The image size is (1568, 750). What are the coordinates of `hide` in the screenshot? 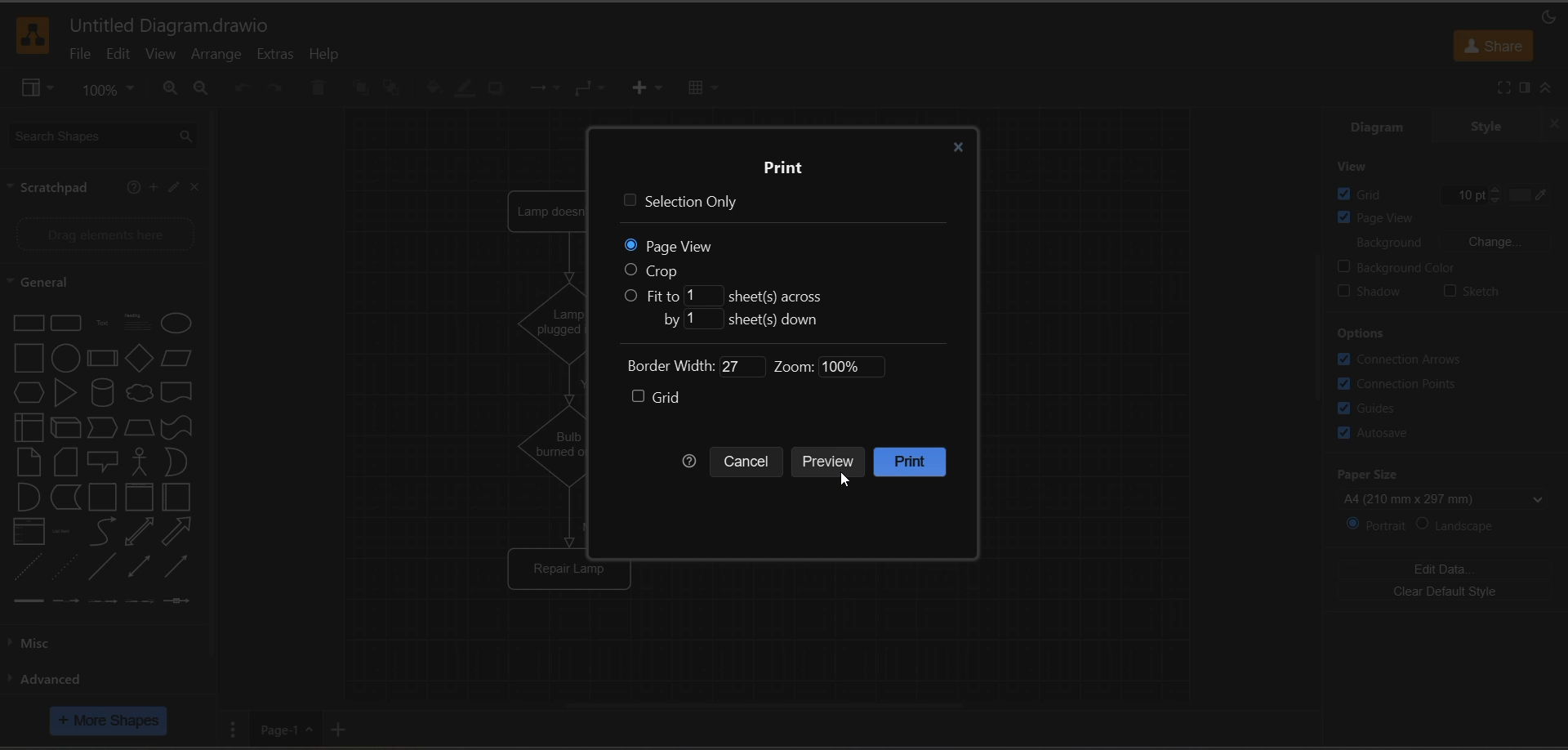 It's located at (1550, 123).